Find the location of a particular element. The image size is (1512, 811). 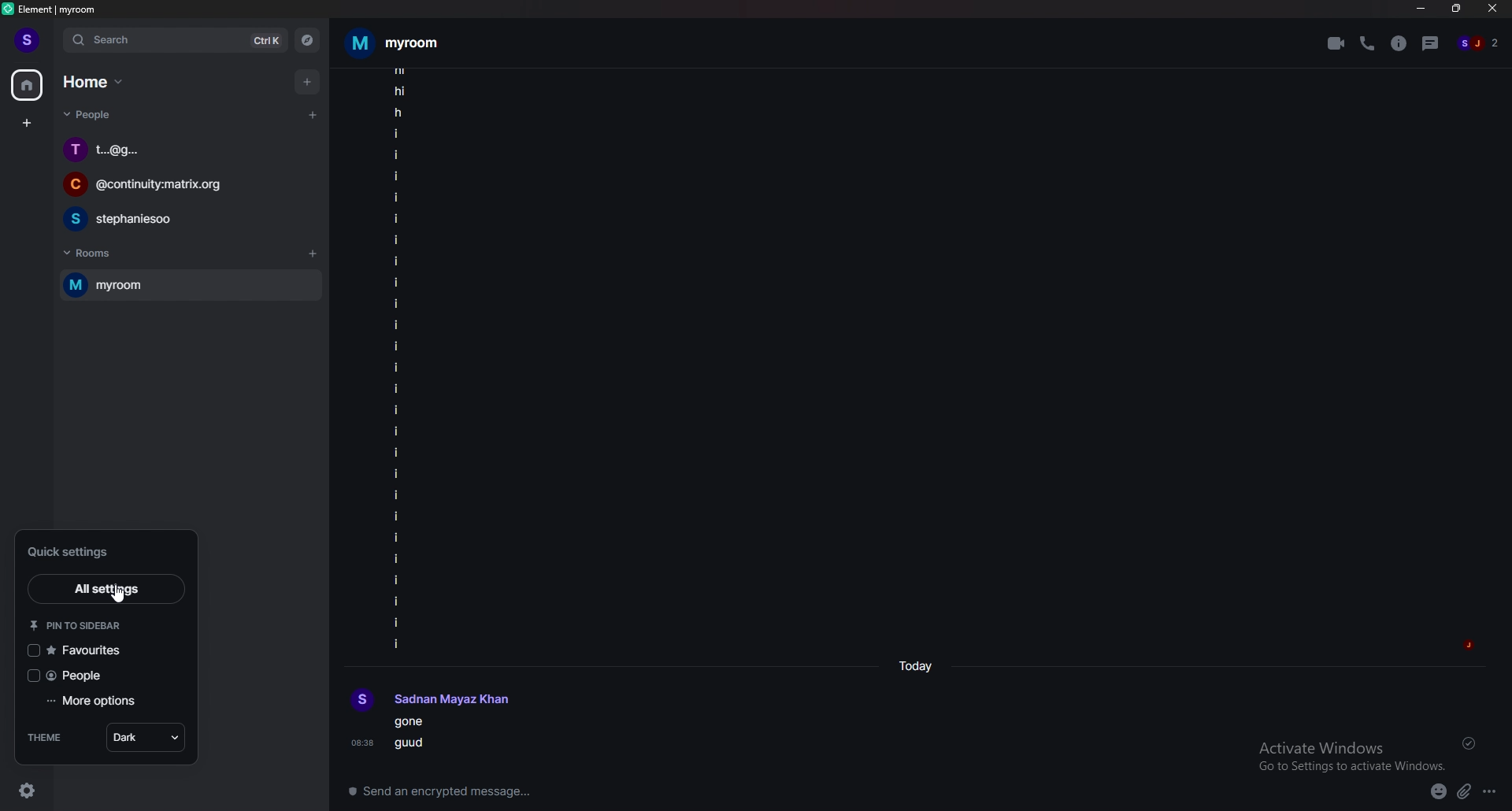

all settings is located at coordinates (103, 587).